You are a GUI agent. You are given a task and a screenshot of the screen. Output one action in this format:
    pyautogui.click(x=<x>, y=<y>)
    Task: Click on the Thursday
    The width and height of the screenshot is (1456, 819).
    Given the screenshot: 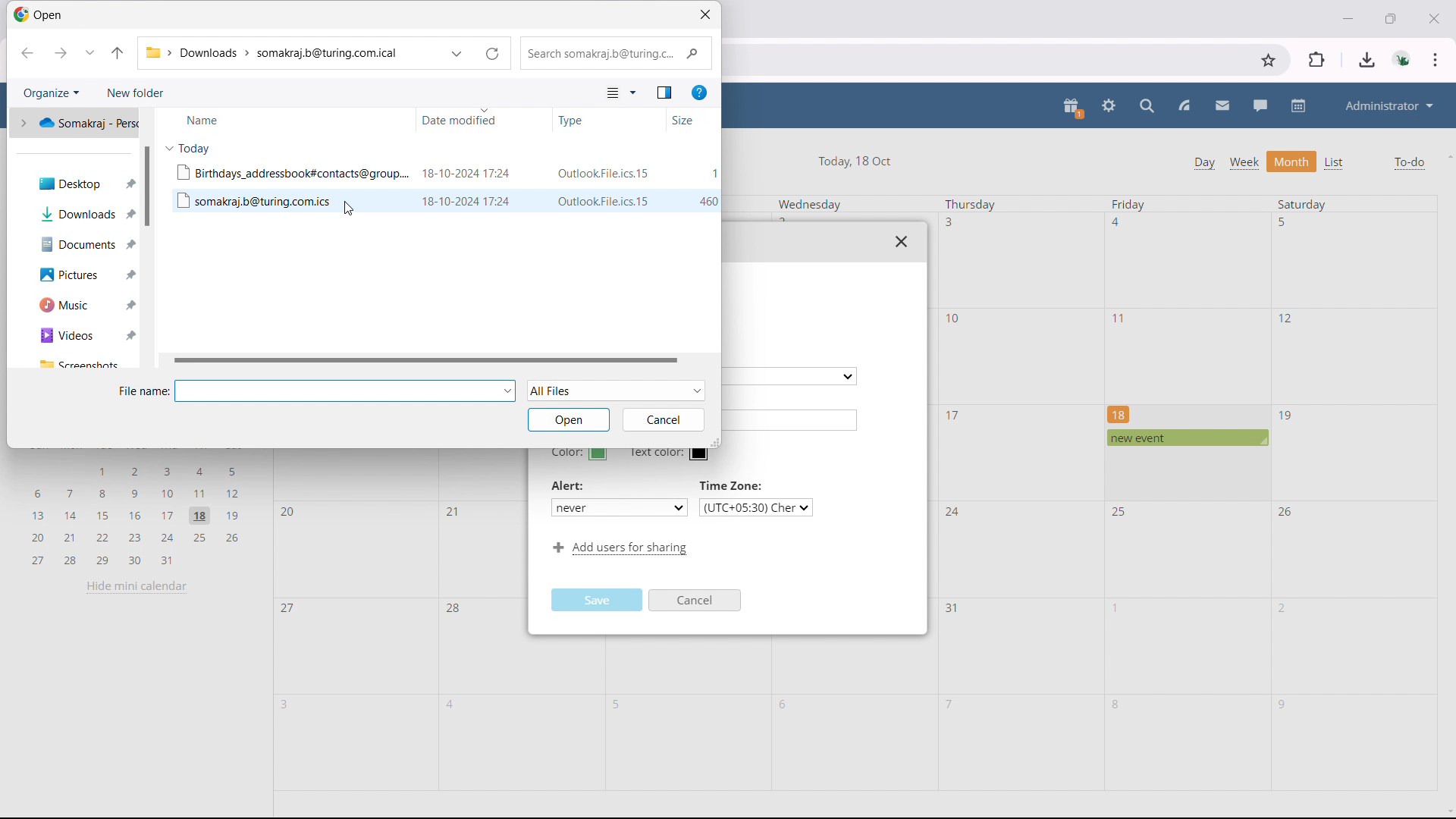 What is the action you would take?
    pyautogui.click(x=971, y=205)
    